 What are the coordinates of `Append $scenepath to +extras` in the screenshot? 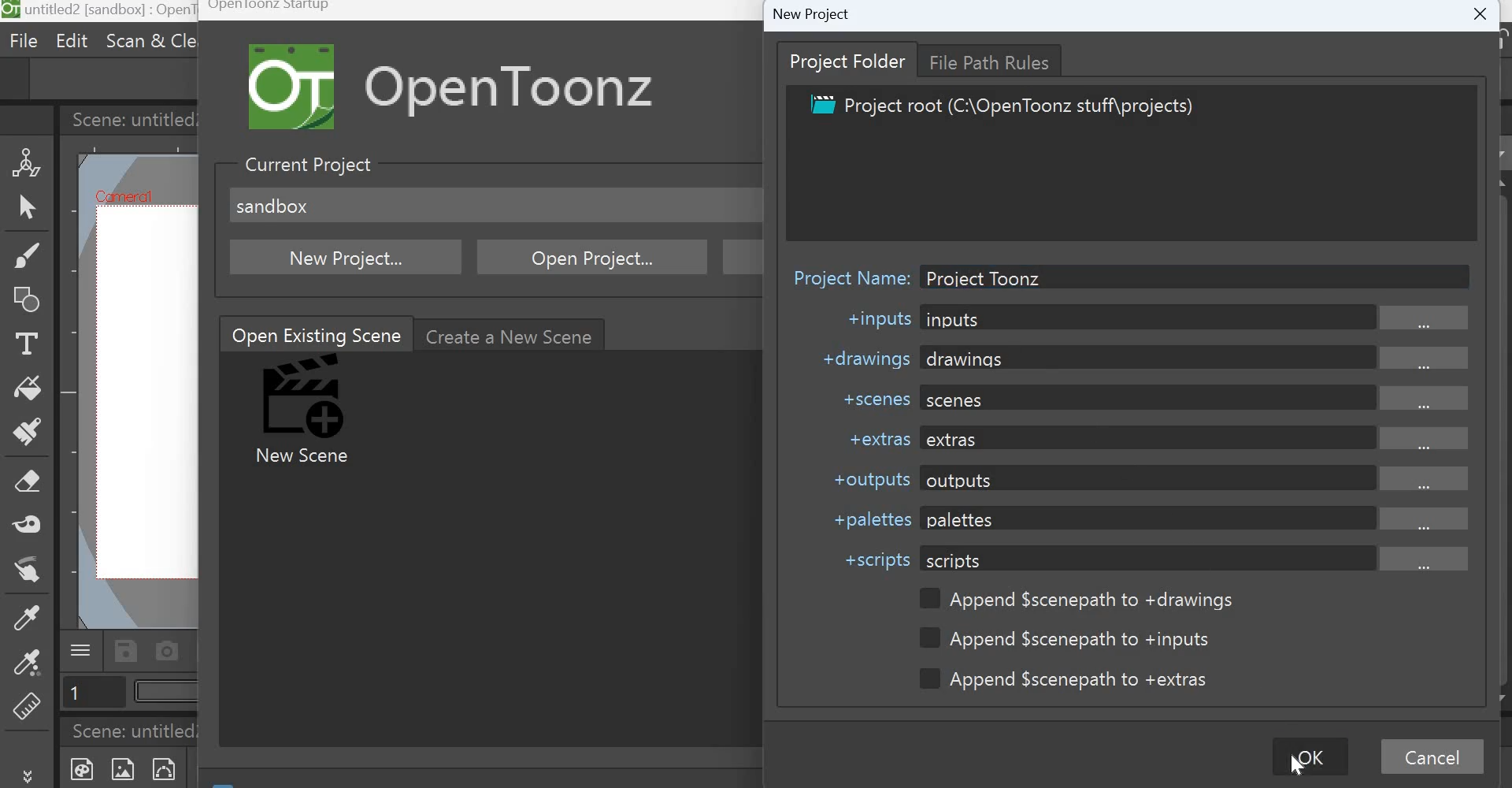 It's located at (1072, 678).